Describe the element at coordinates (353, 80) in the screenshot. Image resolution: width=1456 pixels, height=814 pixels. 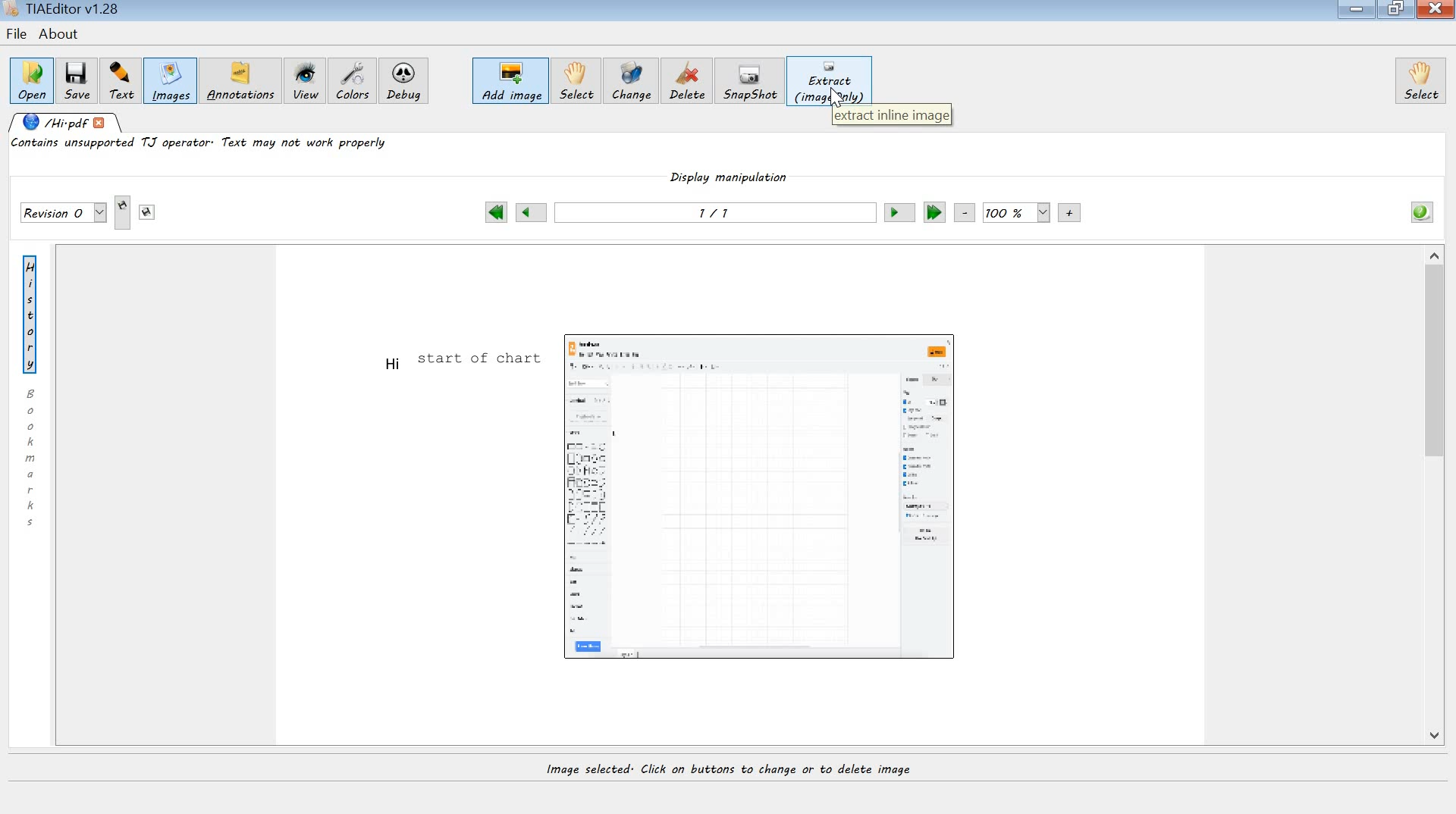
I see `colors` at that location.